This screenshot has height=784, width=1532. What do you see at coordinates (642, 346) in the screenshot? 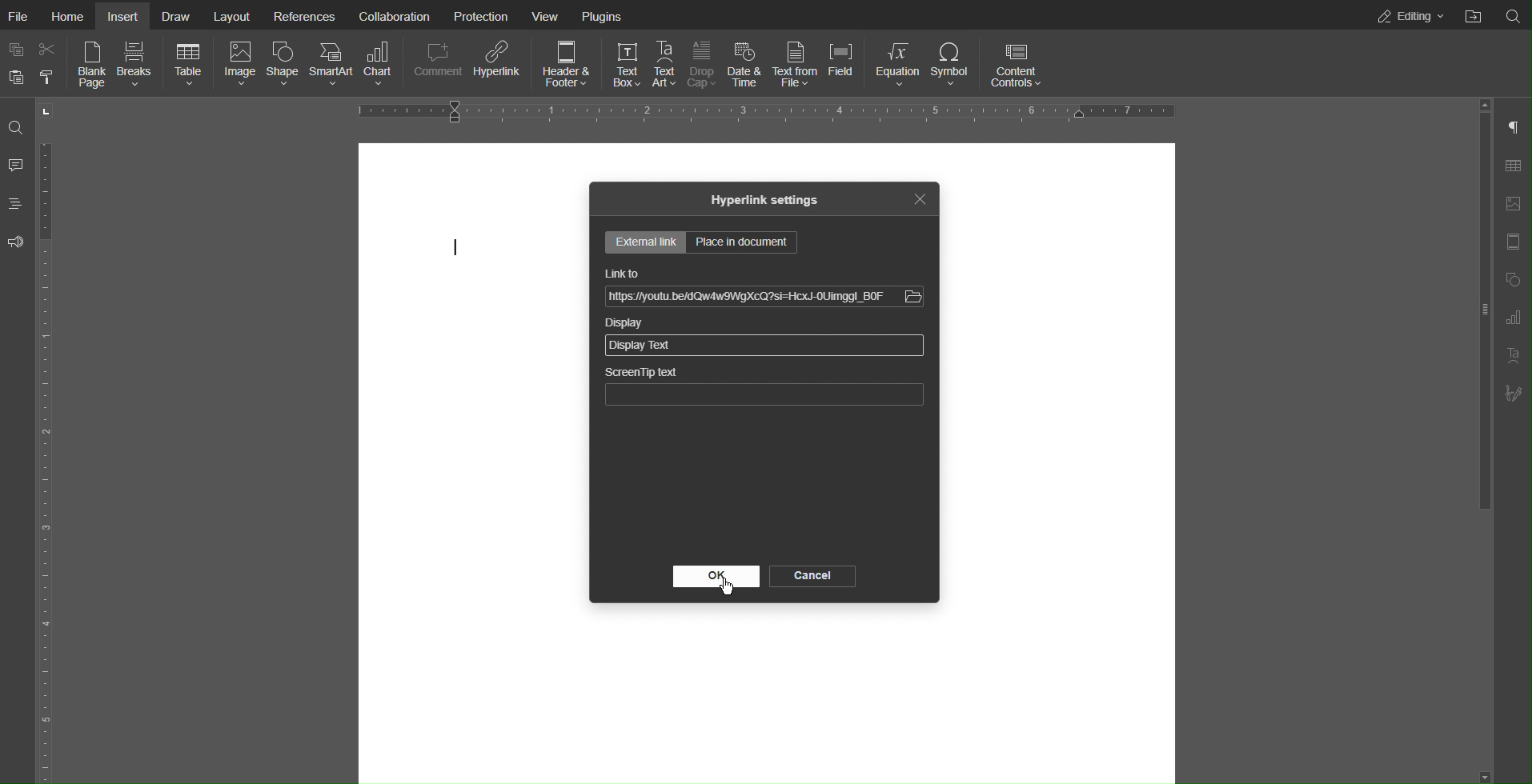
I see `Display Text` at bounding box center [642, 346].